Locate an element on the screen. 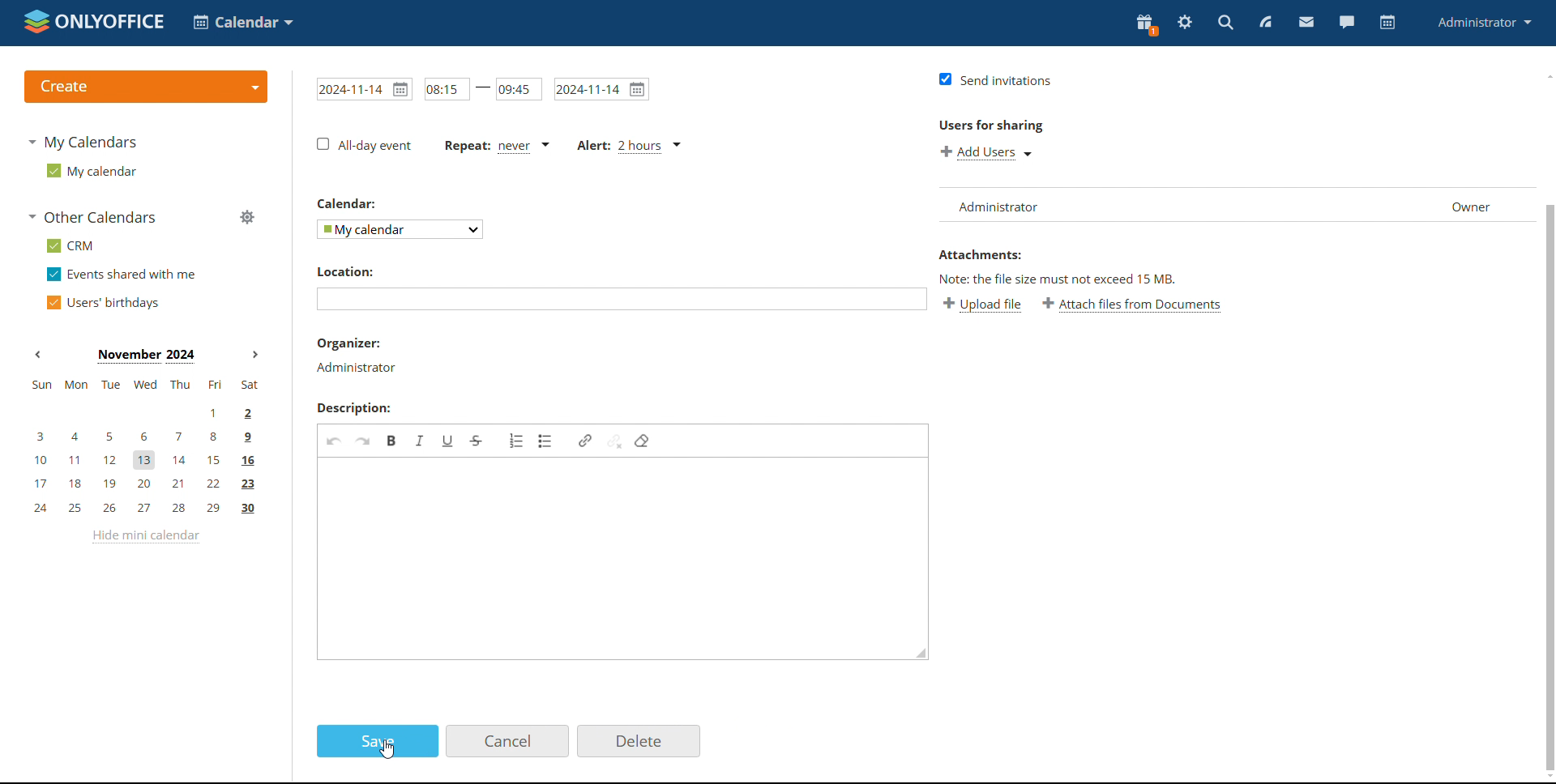 The height and width of the screenshot is (784, 1556). logo is located at coordinates (94, 23).